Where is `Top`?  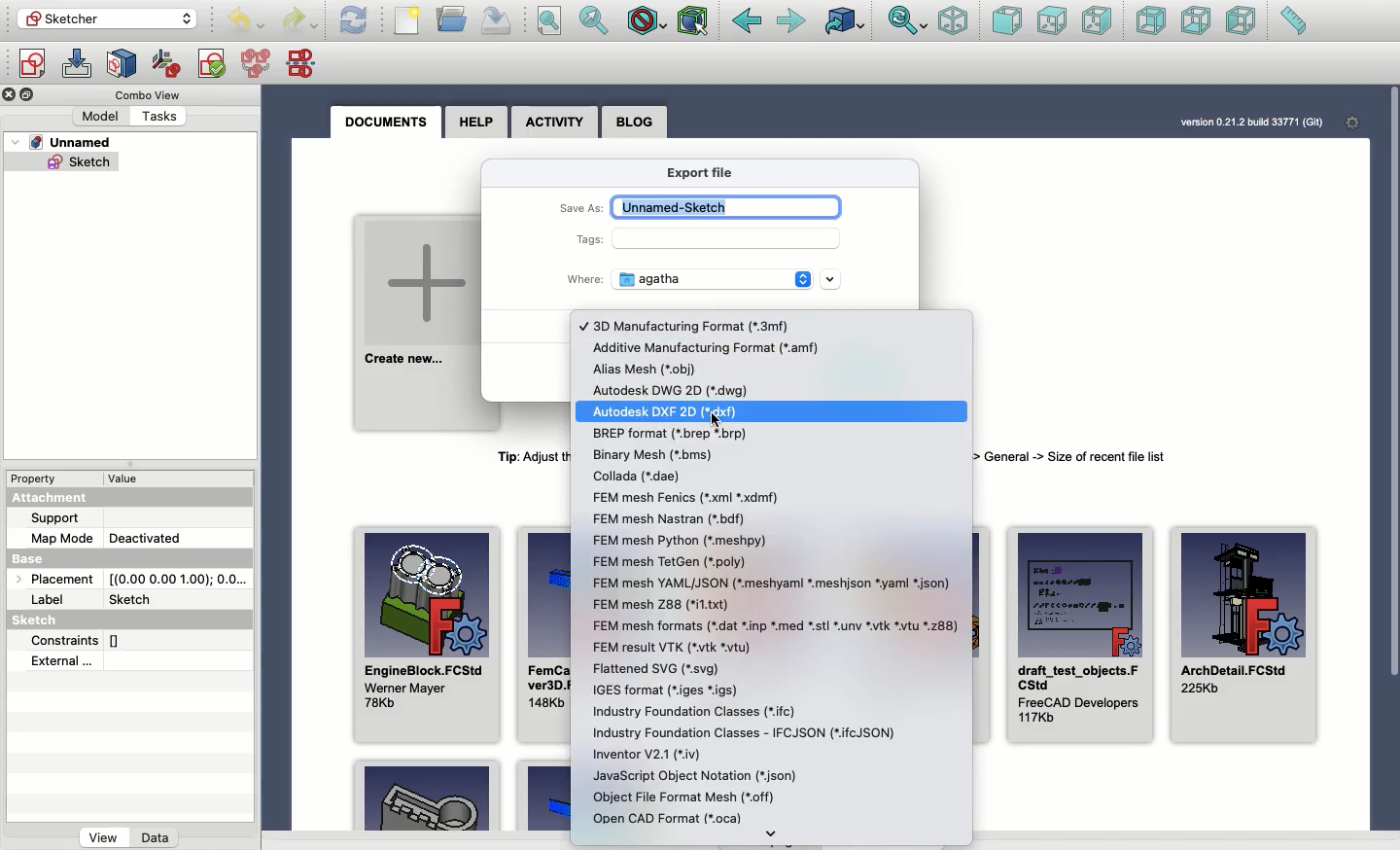
Top is located at coordinates (1051, 20).